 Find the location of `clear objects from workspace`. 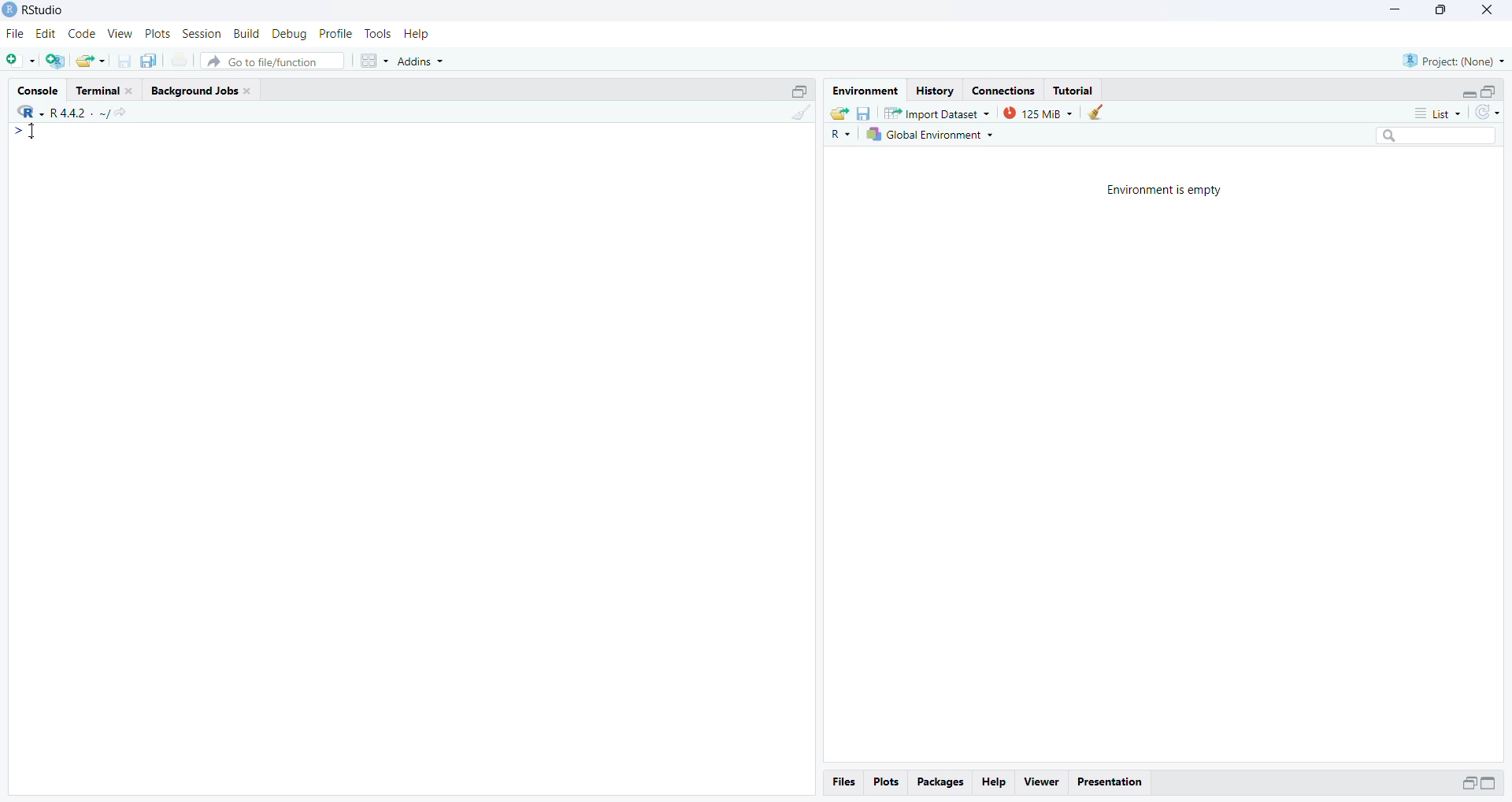

clear objects from workspace is located at coordinates (1095, 112).